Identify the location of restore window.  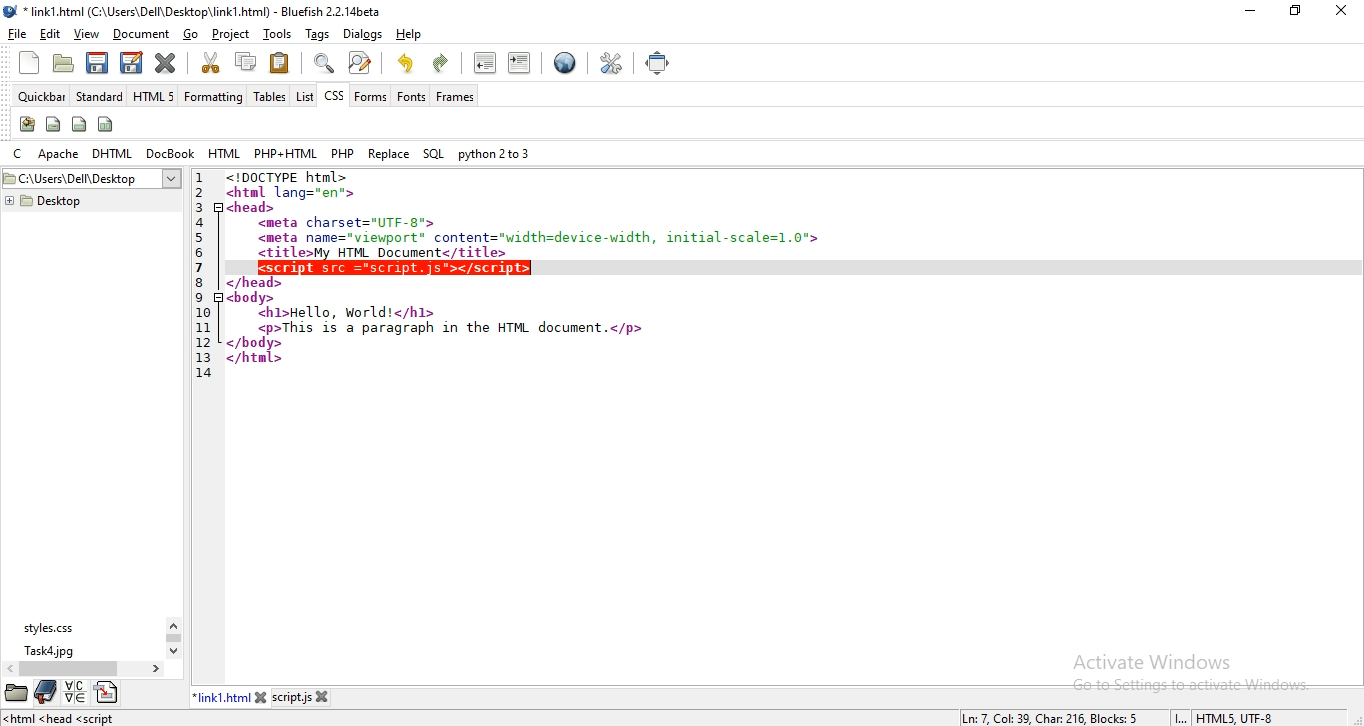
(1292, 10).